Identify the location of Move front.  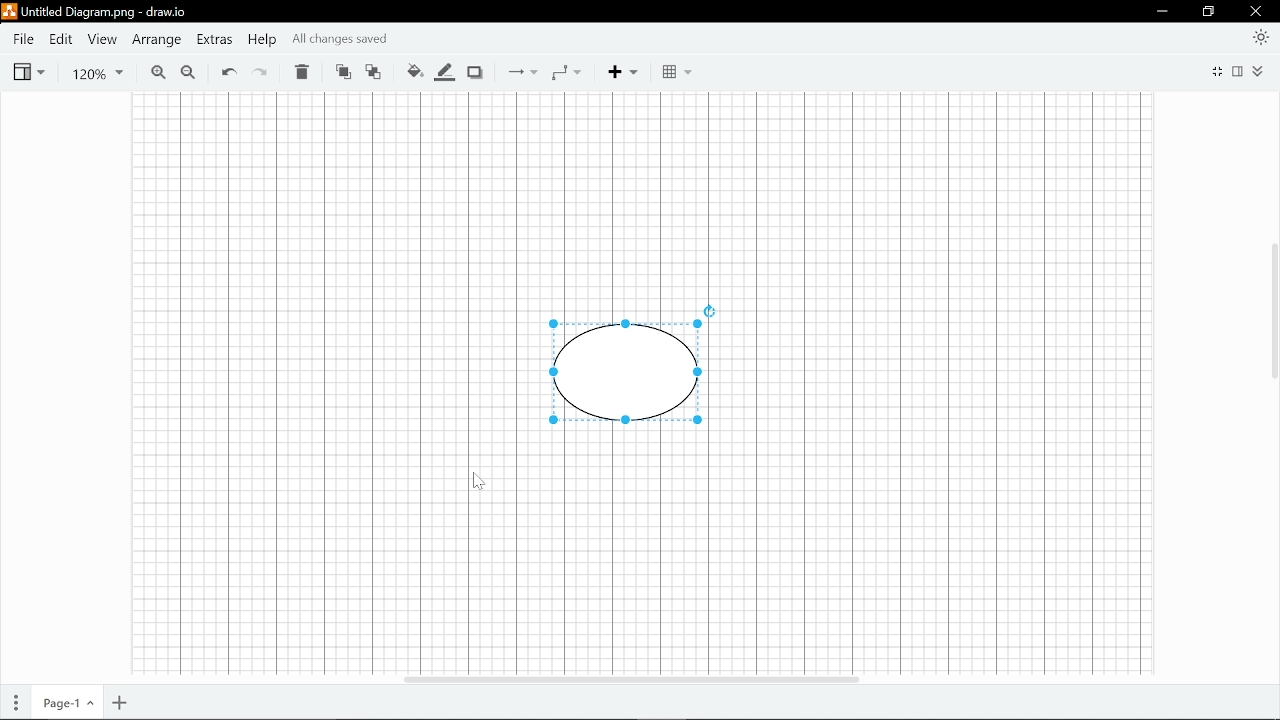
(341, 71).